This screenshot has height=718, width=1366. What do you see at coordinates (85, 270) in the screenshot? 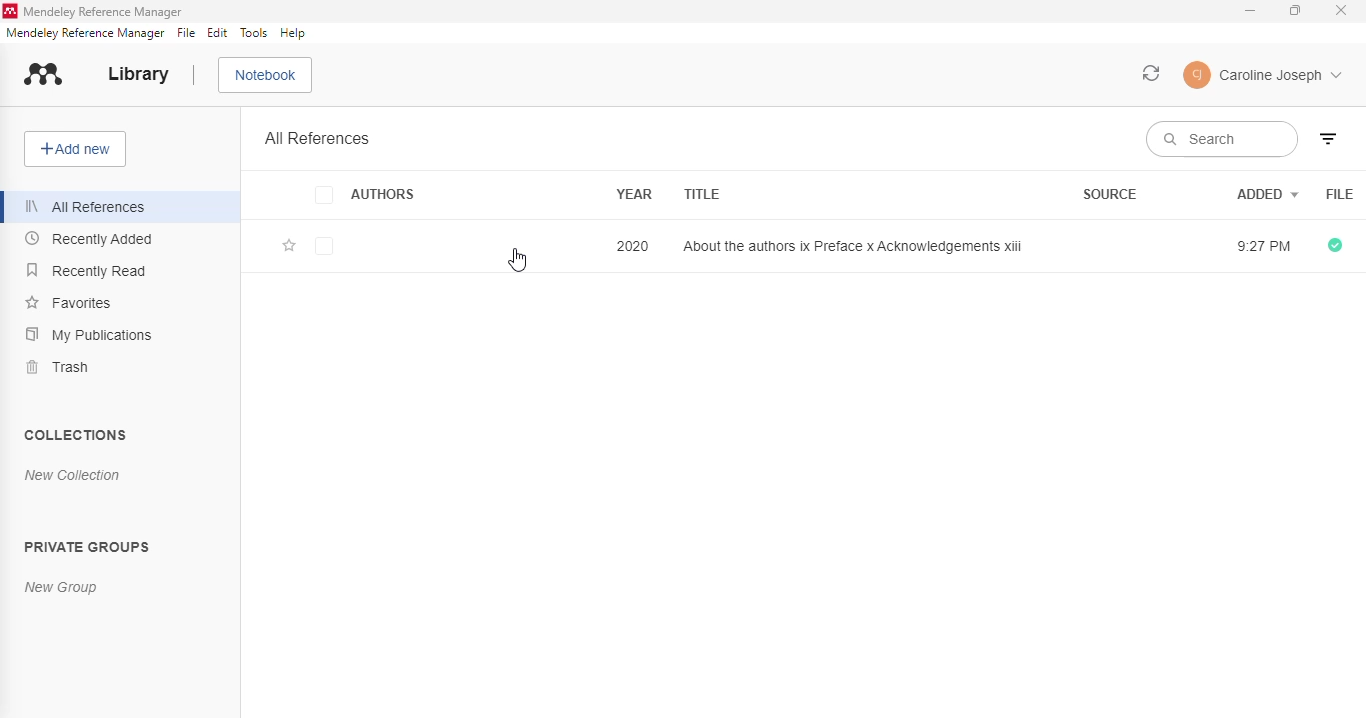
I see `recently read` at bounding box center [85, 270].